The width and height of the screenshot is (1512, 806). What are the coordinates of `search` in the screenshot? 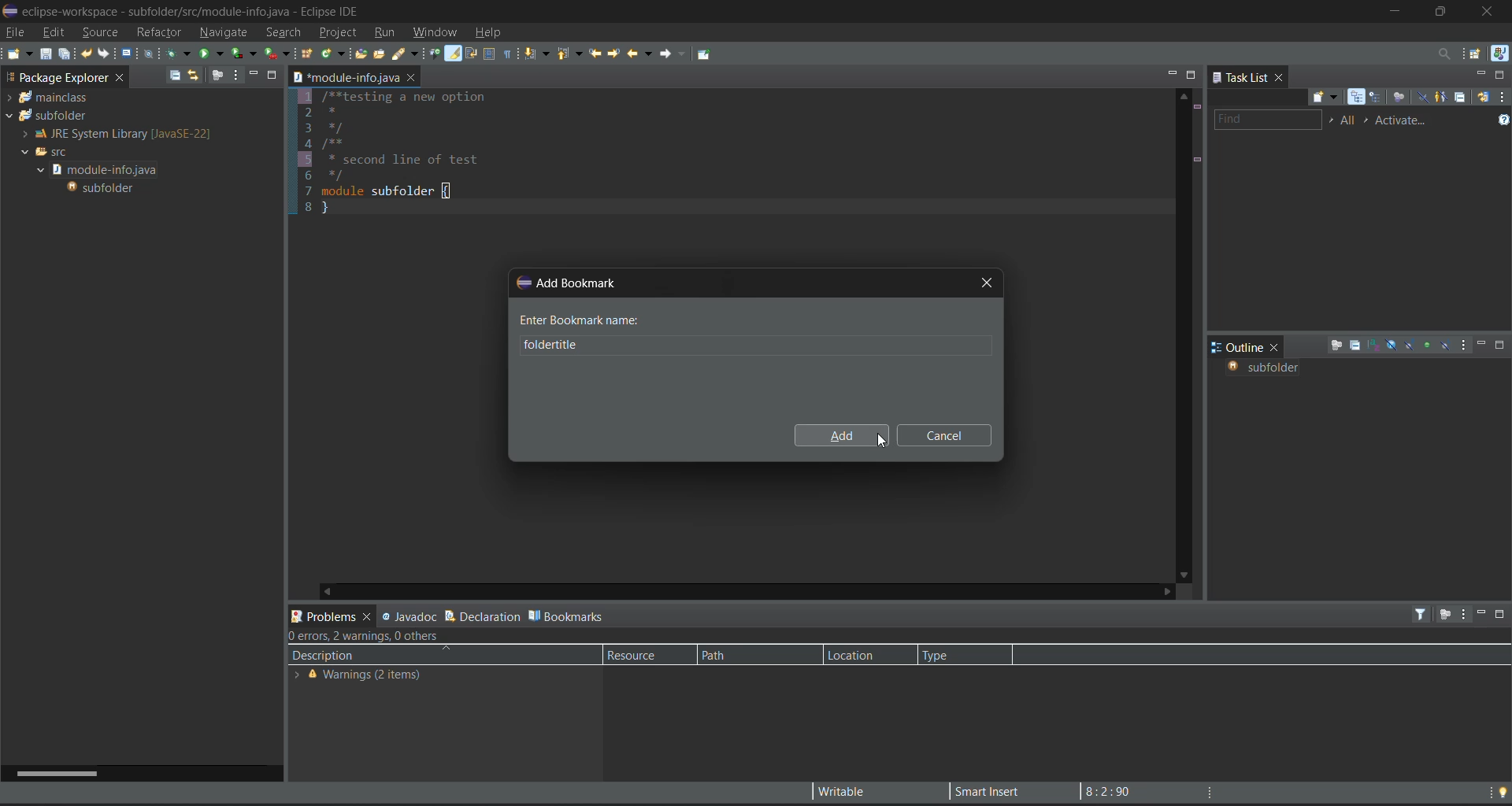 It's located at (283, 32).